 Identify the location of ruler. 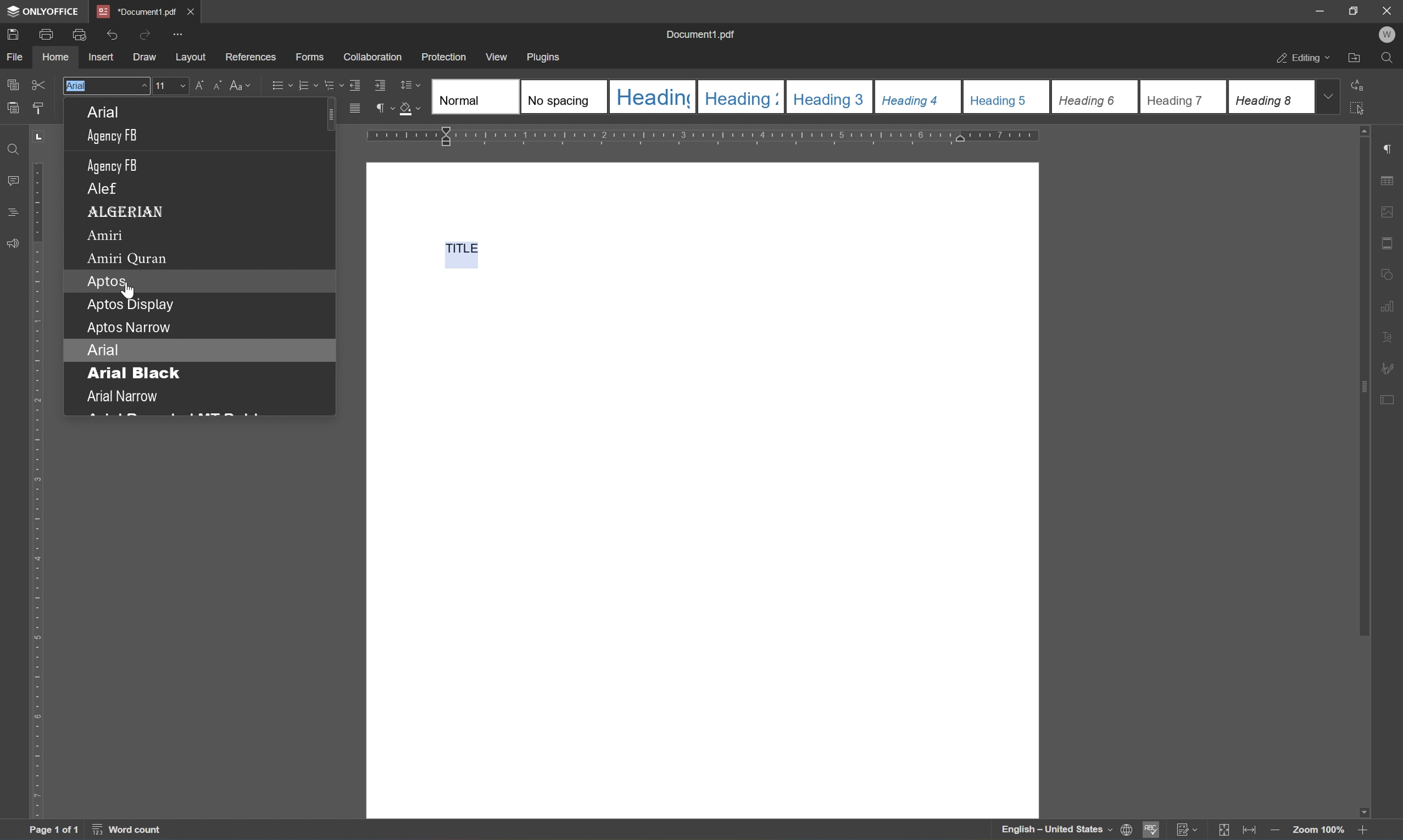
(701, 136).